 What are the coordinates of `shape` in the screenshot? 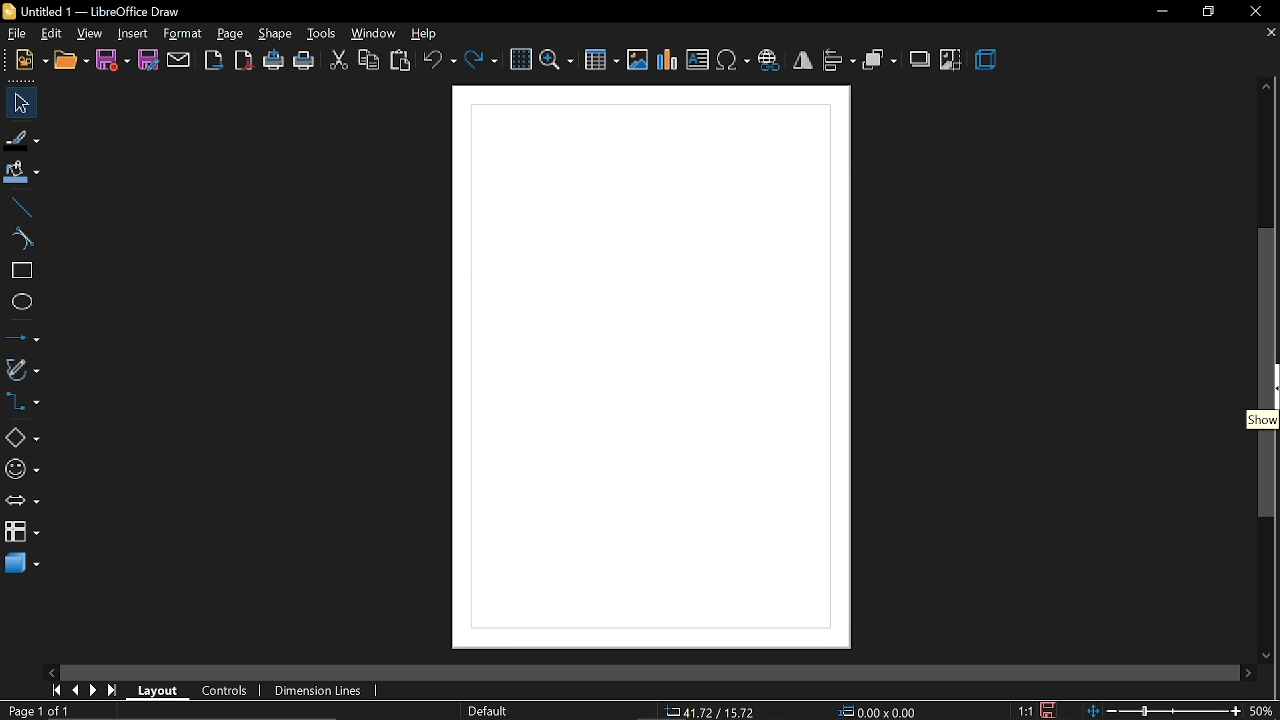 It's located at (276, 34).